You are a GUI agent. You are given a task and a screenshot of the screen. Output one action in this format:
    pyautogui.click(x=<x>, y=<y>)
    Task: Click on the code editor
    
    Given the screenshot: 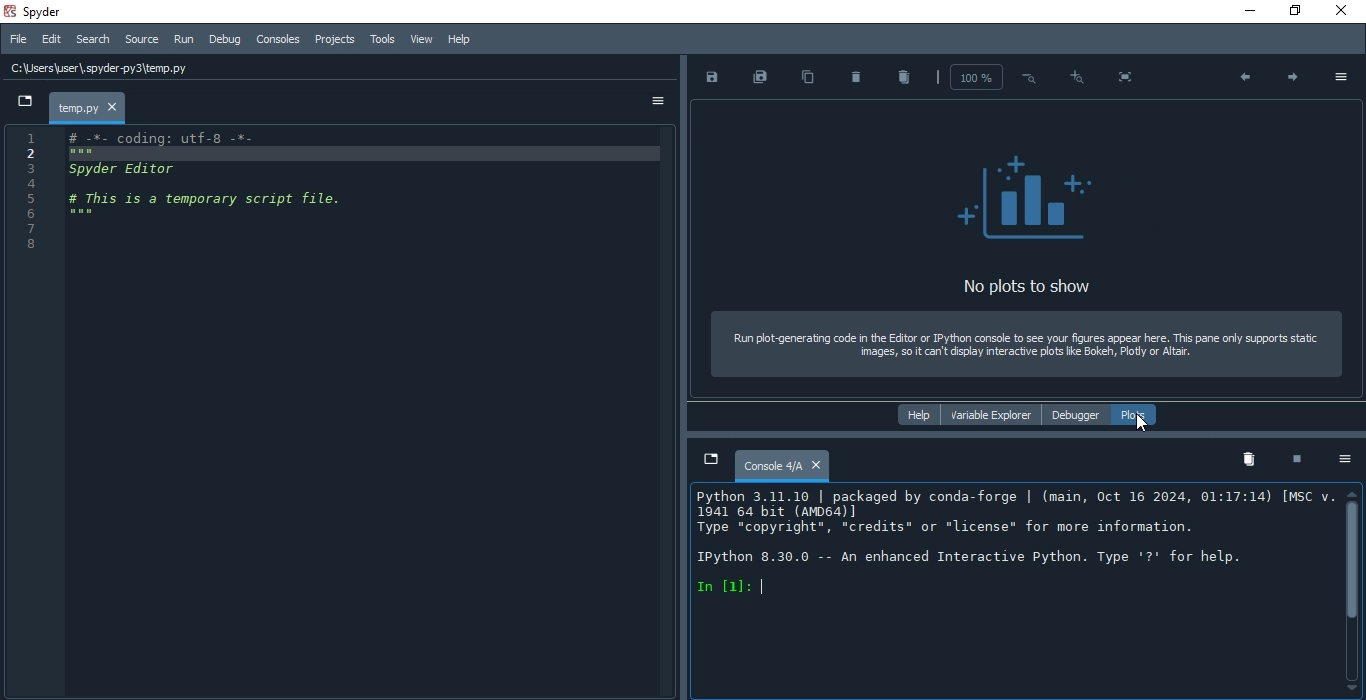 What is the action you would take?
    pyautogui.click(x=366, y=409)
    